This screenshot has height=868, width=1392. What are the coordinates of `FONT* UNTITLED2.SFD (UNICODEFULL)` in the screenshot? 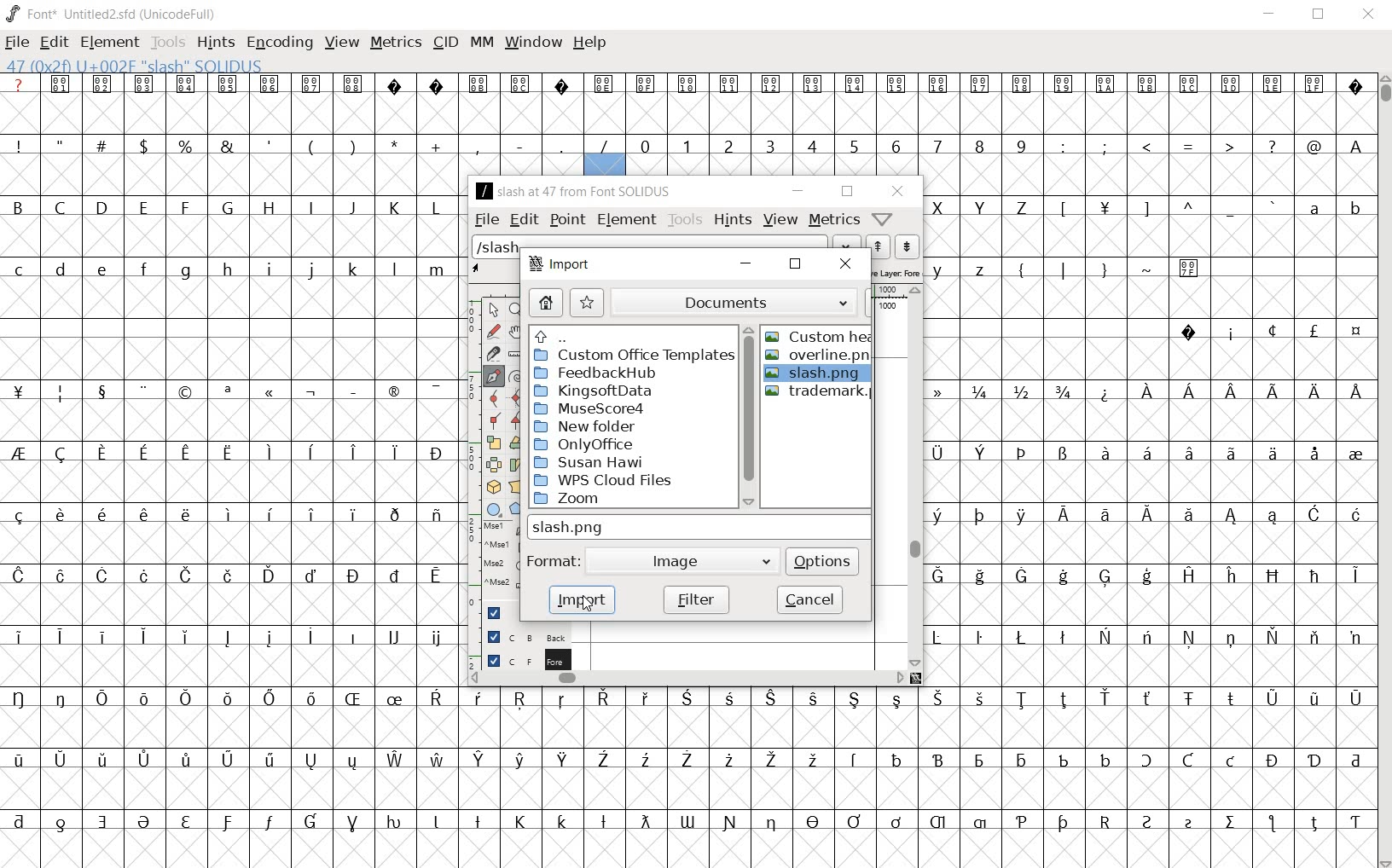 It's located at (111, 13).